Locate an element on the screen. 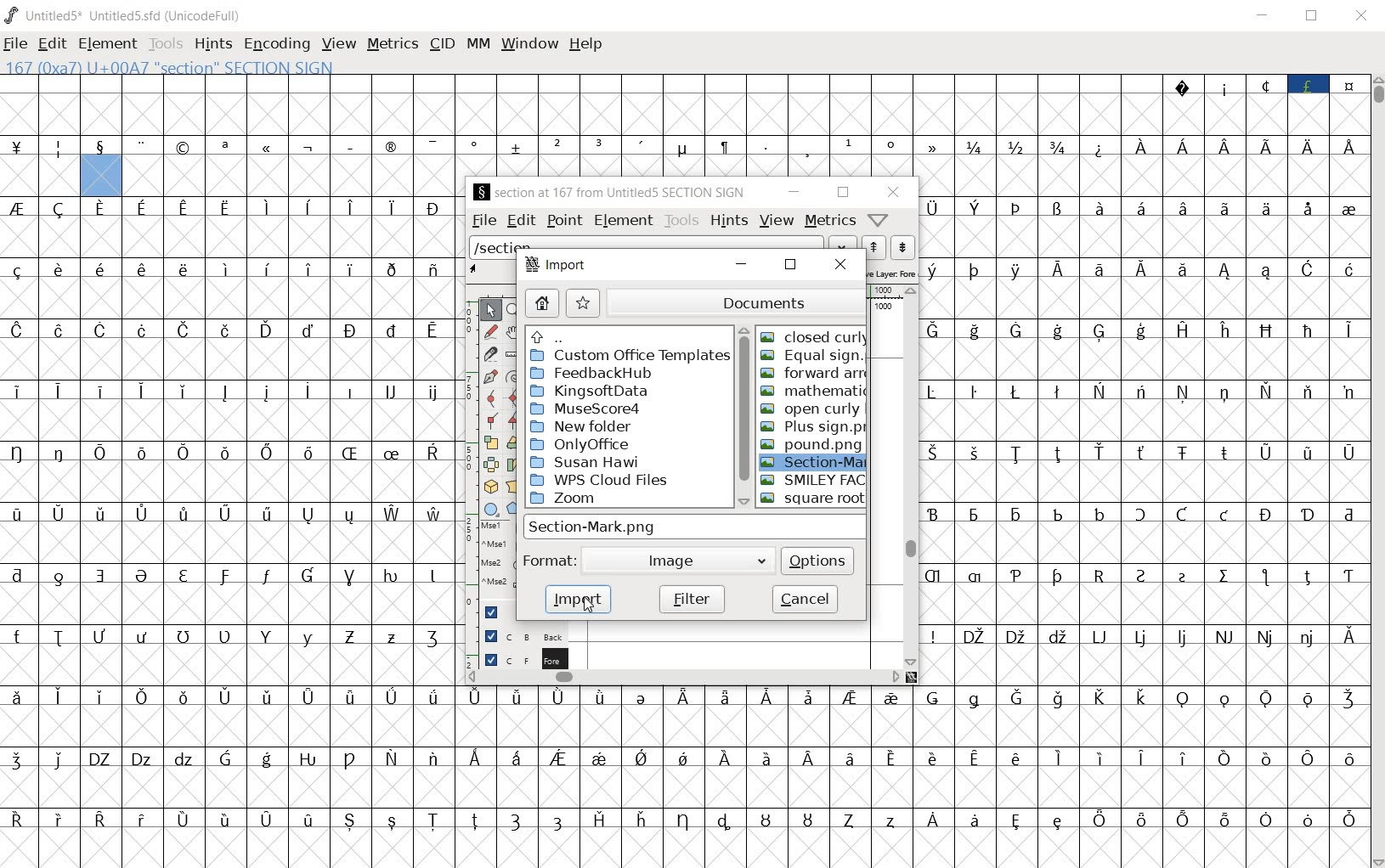 The image size is (1385, 868). CLOSED CURLY.PNG is located at coordinates (815, 335).